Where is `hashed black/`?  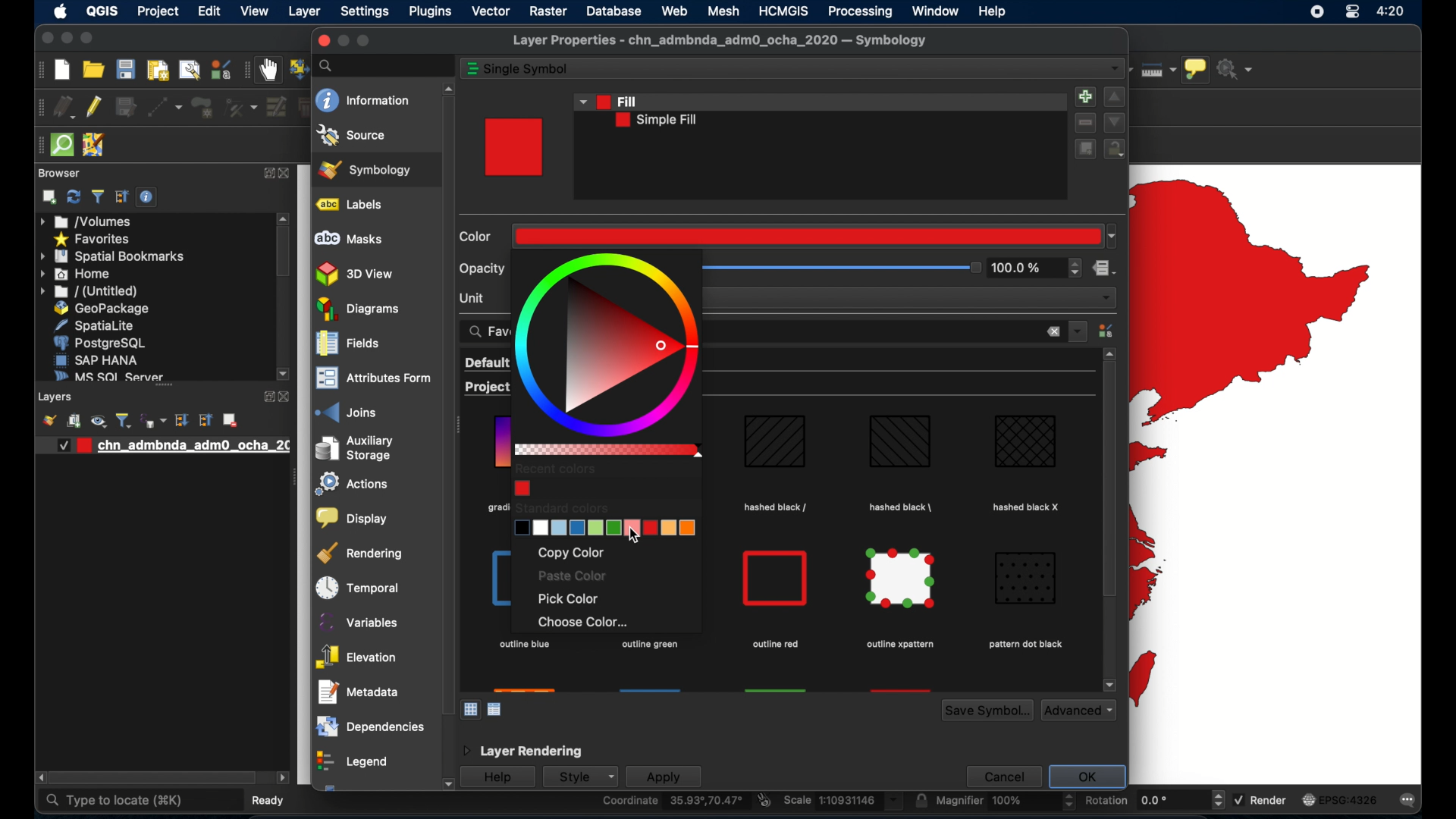 hashed black/ is located at coordinates (776, 507).